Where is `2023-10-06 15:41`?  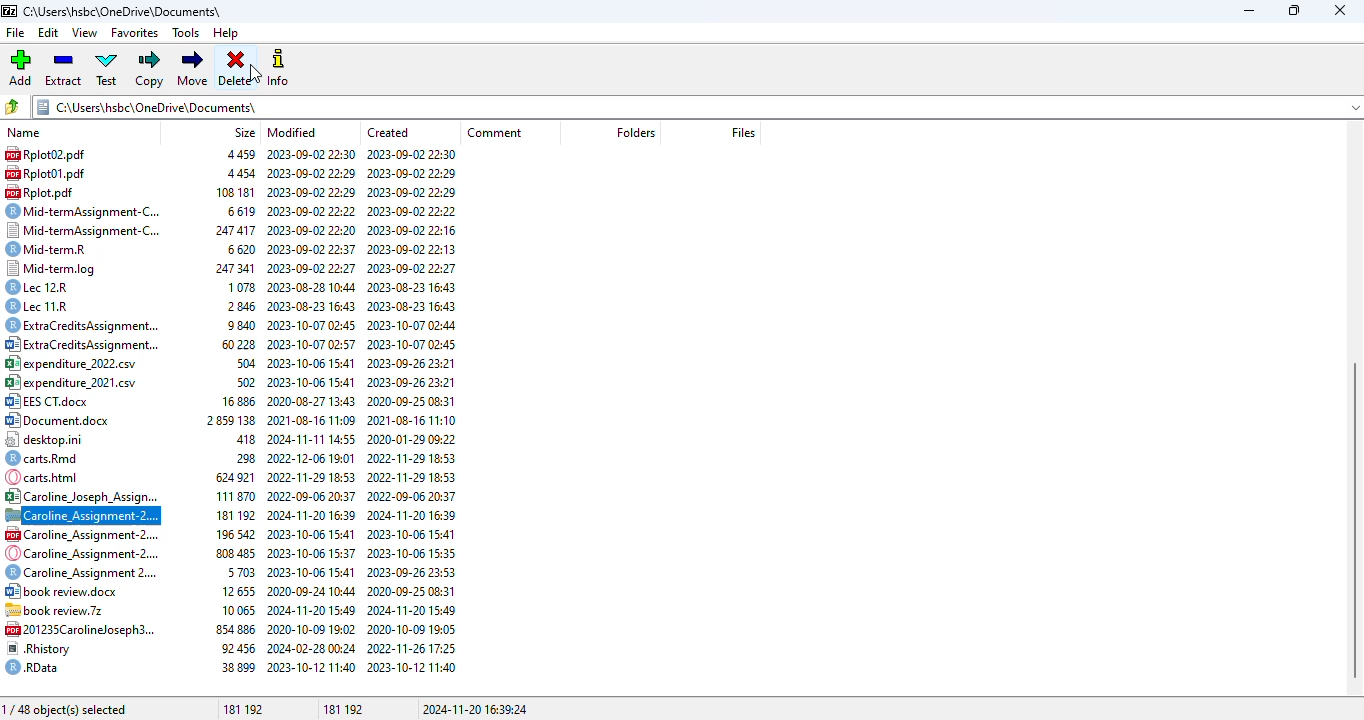 2023-10-06 15:41 is located at coordinates (310, 570).